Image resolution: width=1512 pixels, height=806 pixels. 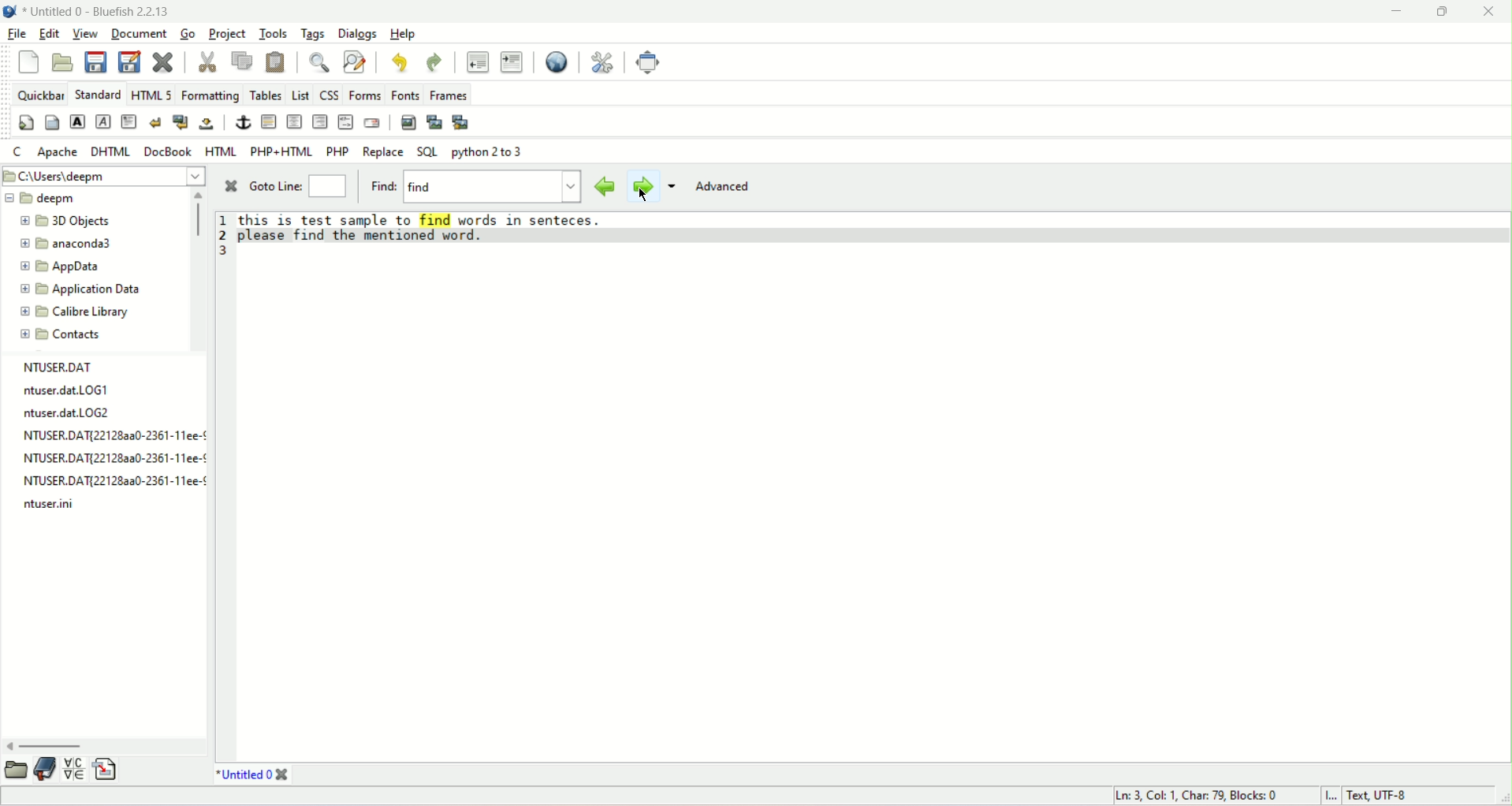 What do you see at coordinates (97, 9) in the screenshot?
I see `| * Untitled 0 - Bluefish 2.2.13` at bounding box center [97, 9].